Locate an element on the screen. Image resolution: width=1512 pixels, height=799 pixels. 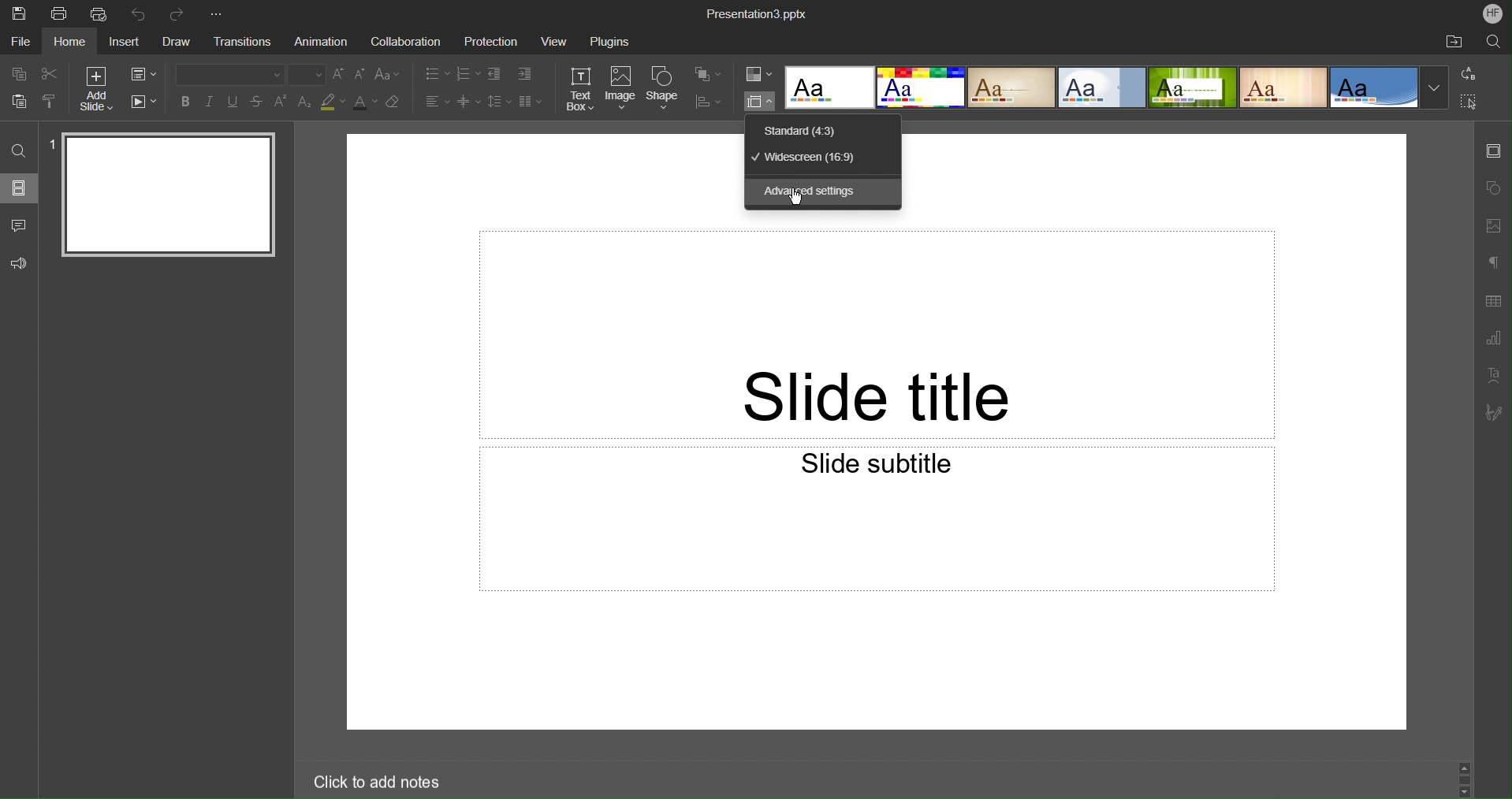
Slides is located at coordinates (19, 188).